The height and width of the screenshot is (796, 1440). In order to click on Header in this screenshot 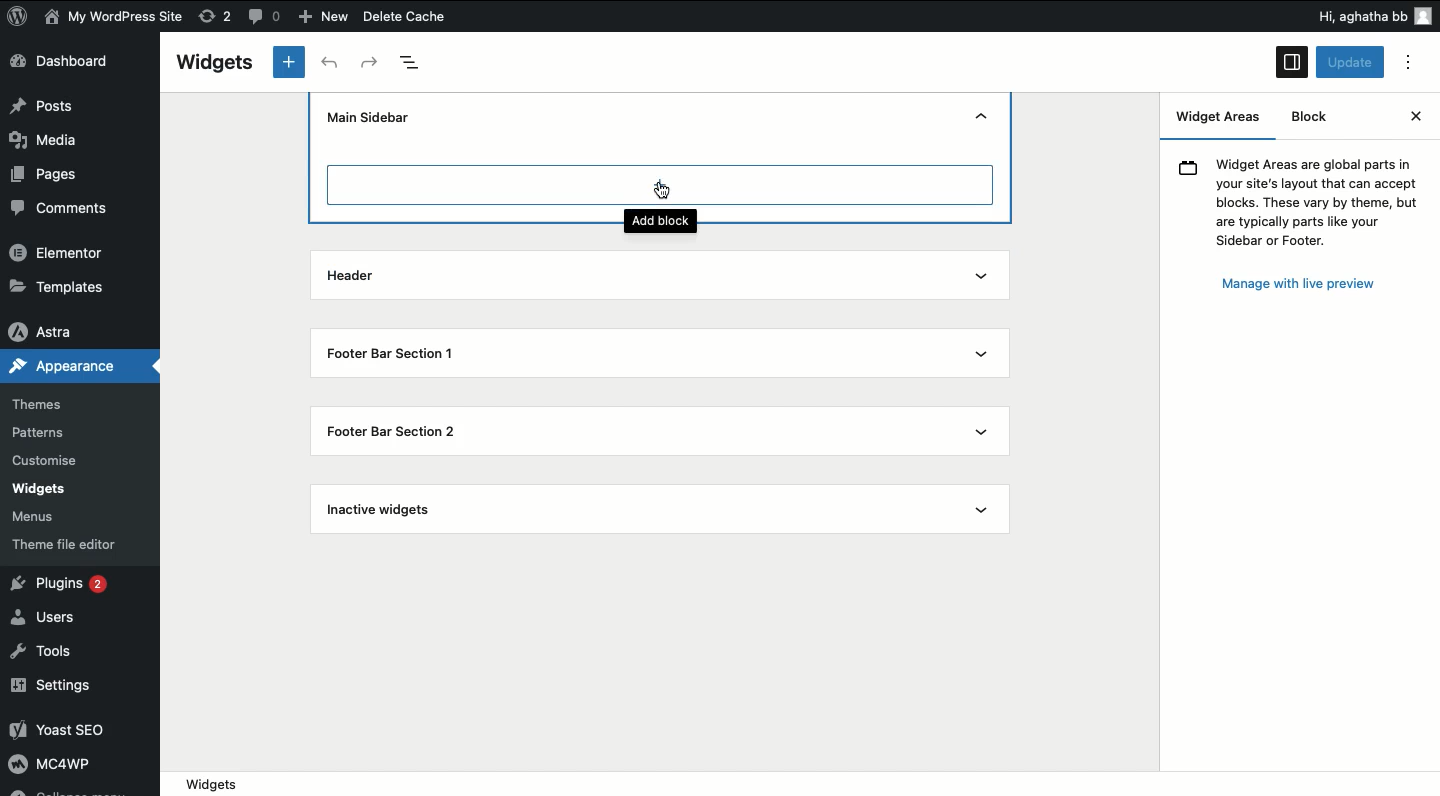, I will do `click(350, 276)`.